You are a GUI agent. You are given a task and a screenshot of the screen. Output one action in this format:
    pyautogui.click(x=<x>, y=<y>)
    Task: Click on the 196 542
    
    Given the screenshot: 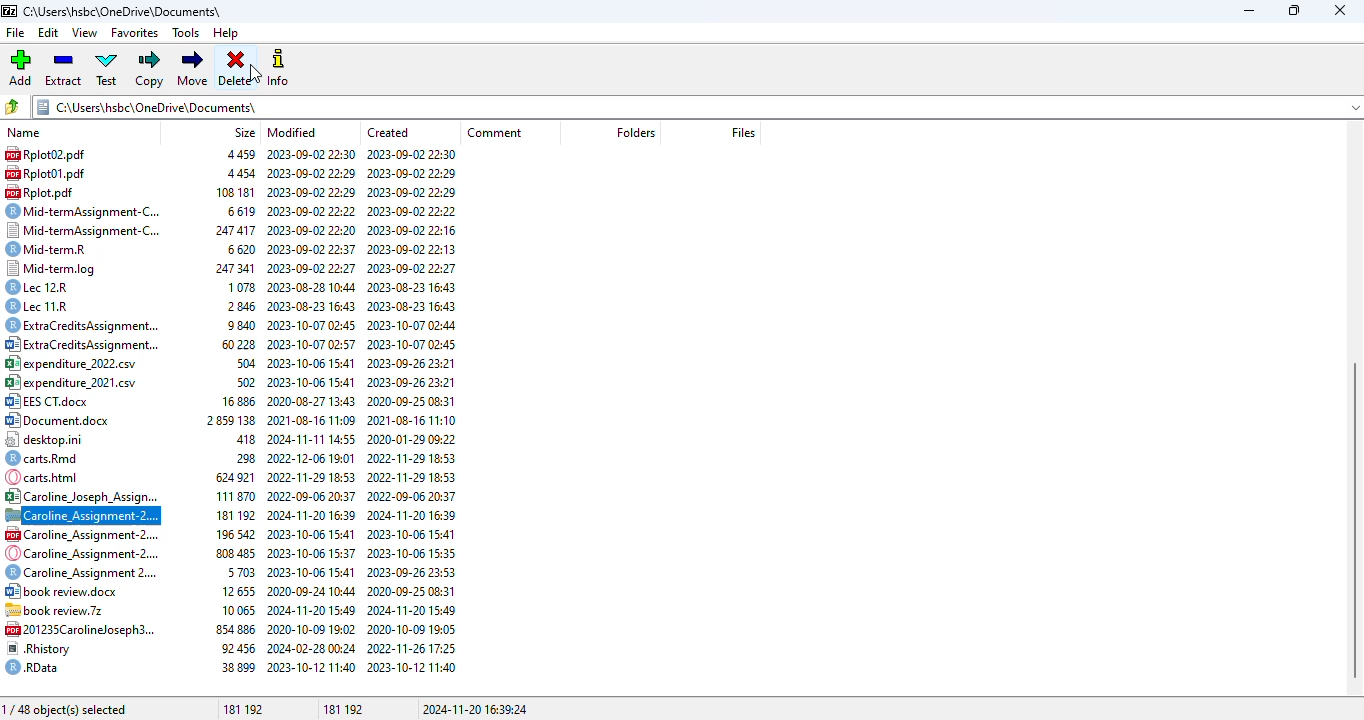 What is the action you would take?
    pyautogui.click(x=231, y=533)
    